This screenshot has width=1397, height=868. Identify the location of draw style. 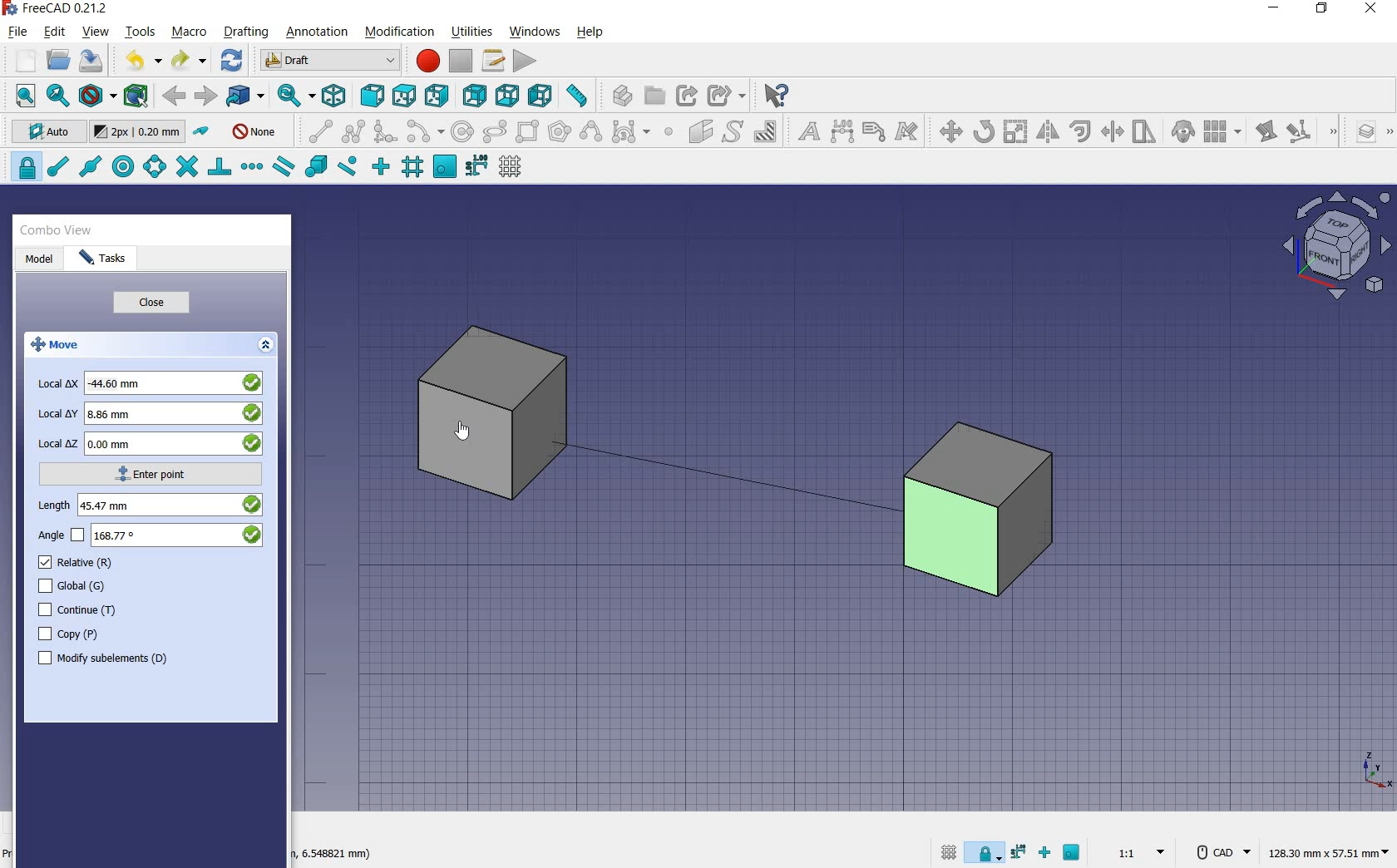
(95, 95).